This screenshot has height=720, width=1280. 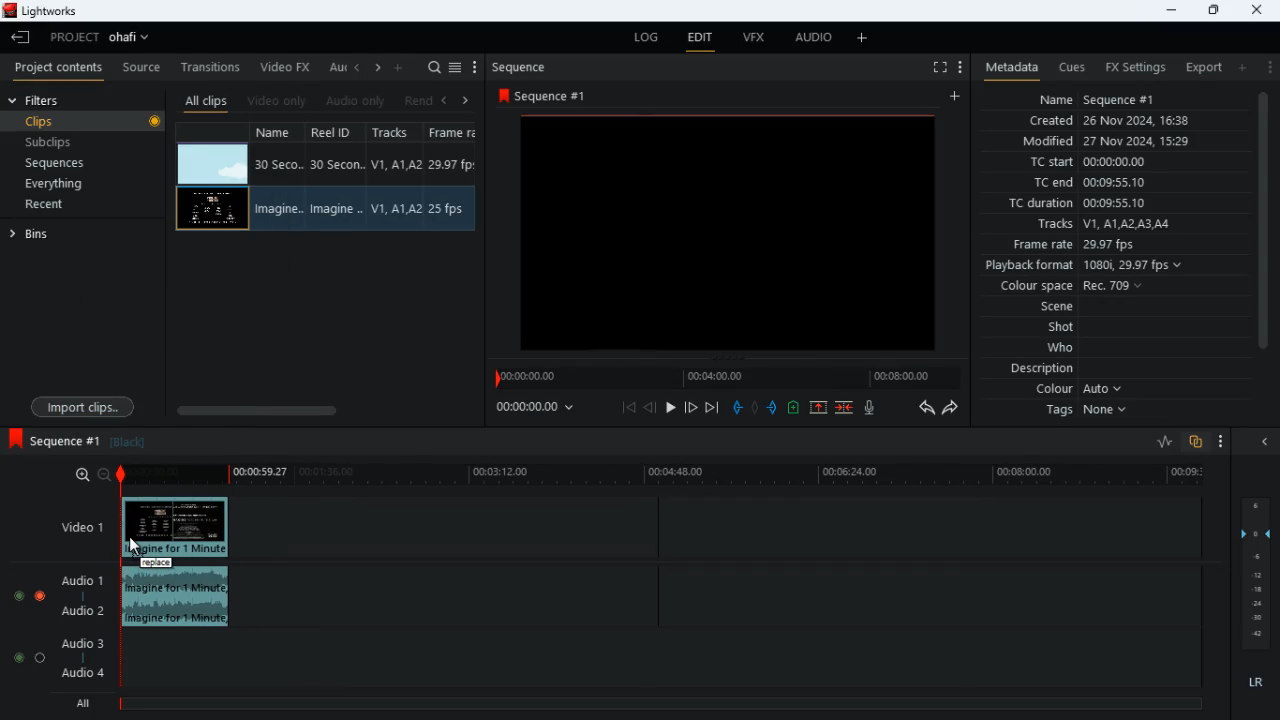 I want to click on right, so click(x=466, y=100).